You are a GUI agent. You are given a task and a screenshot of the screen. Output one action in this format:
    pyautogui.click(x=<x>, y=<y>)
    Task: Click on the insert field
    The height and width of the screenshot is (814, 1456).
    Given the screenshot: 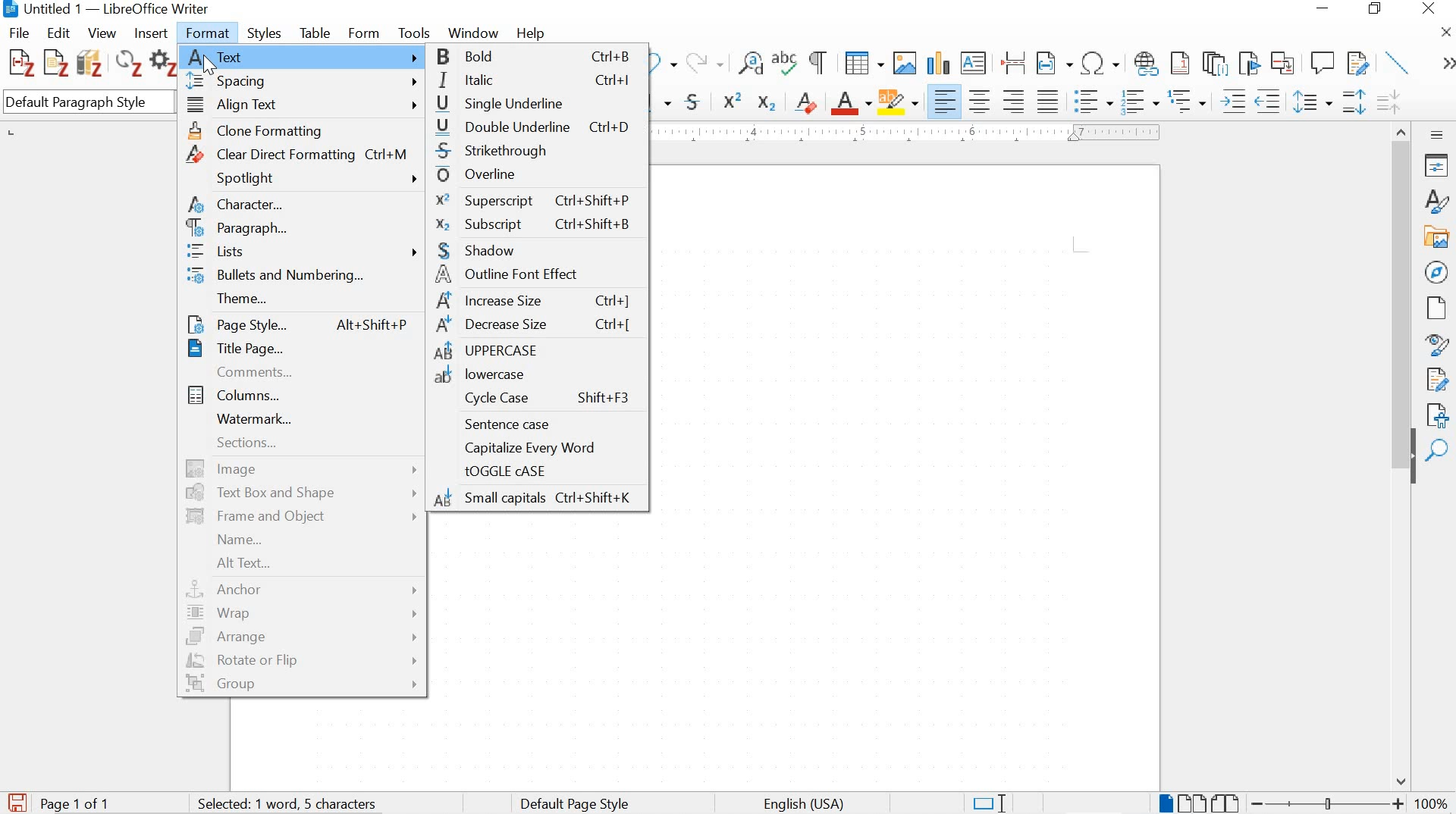 What is the action you would take?
    pyautogui.click(x=1054, y=64)
    